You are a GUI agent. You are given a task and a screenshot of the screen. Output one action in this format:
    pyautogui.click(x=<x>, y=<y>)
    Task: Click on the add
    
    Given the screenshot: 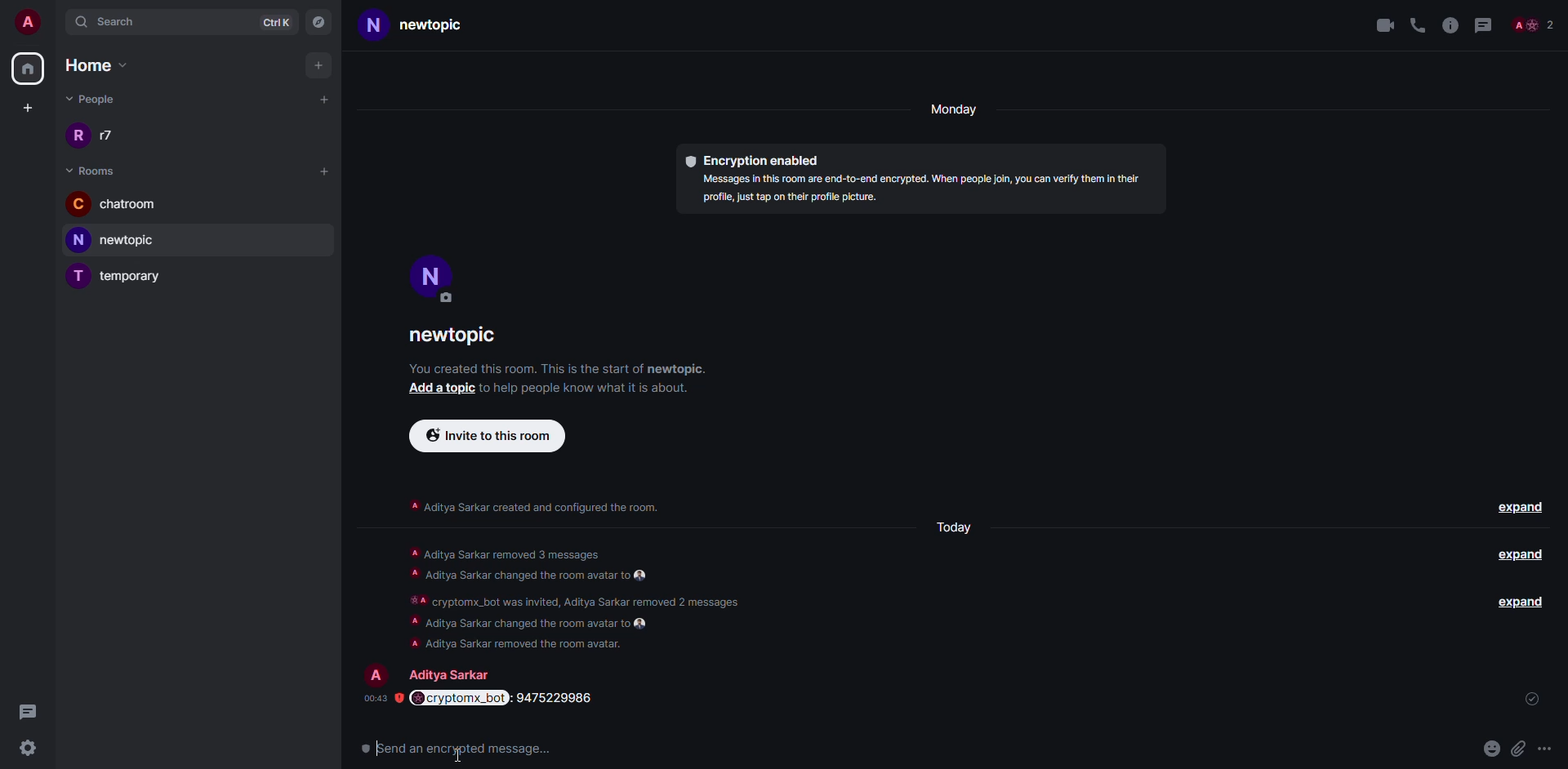 What is the action you would take?
    pyautogui.click(x=325, y=98)
    